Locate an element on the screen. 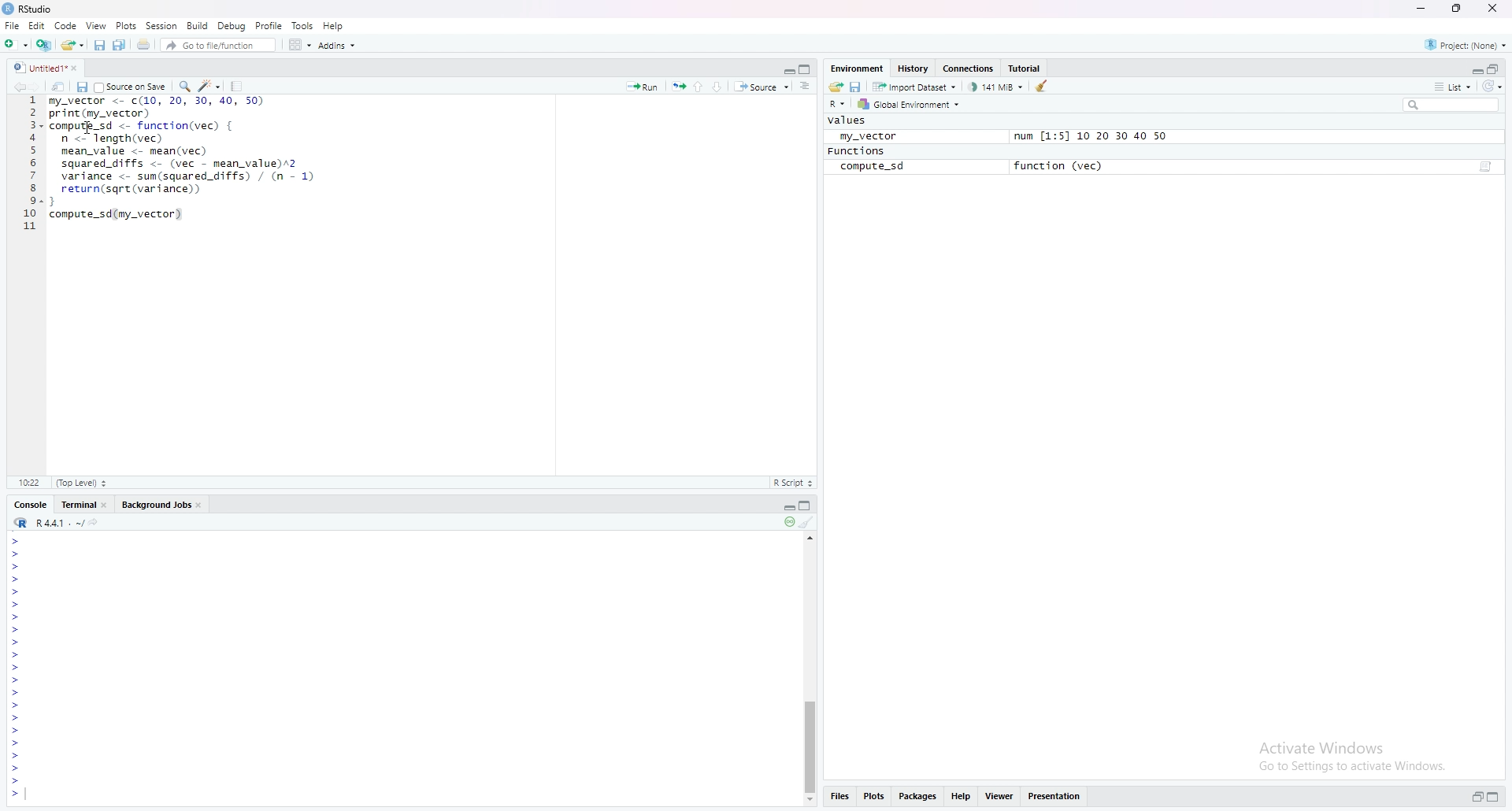  Go to previous section/chunk (Ctrl + pgUP) is located at coordinates (699, 85).